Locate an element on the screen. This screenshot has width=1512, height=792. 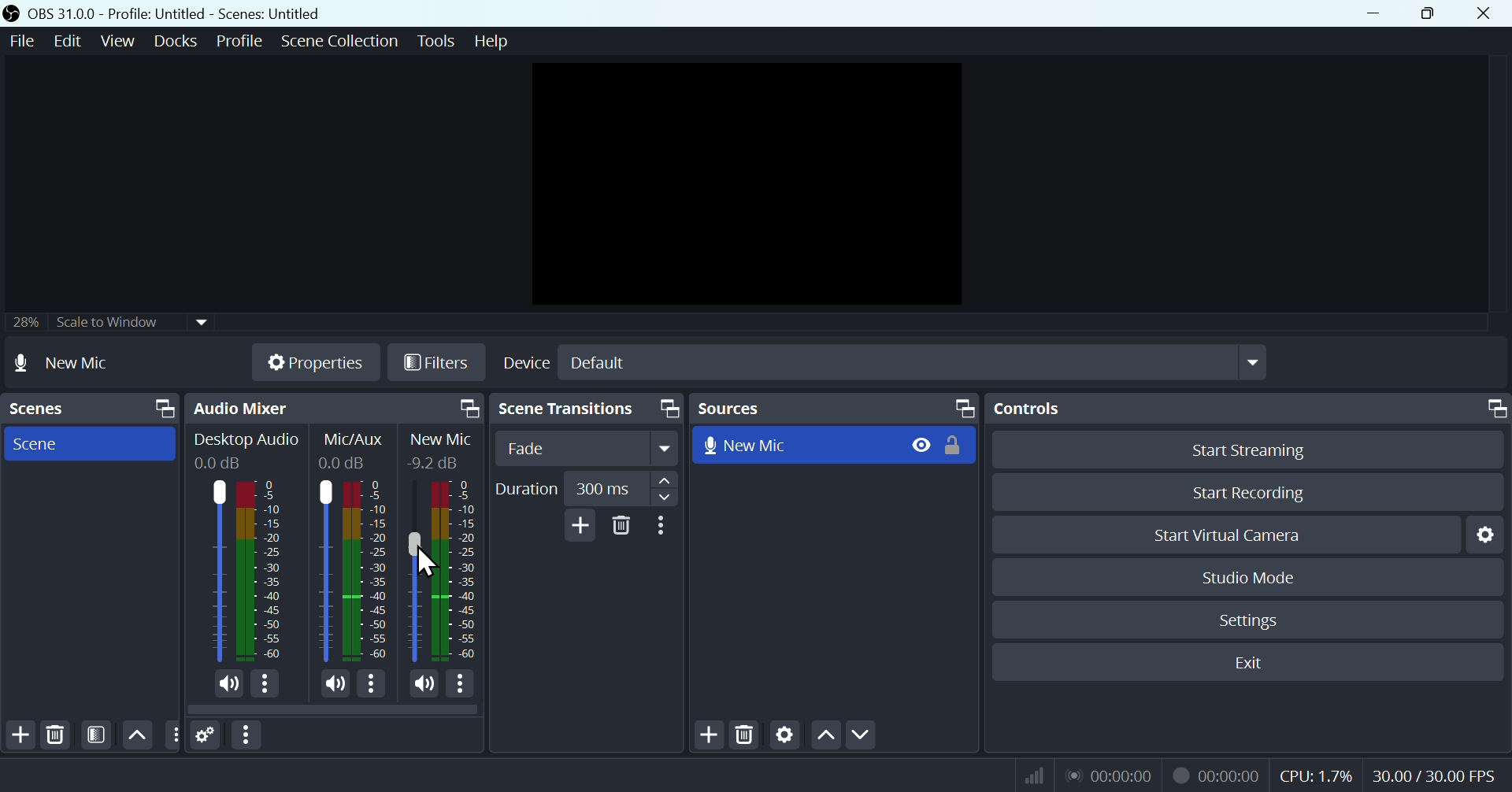
(un)mute is located at coordinates (227, 684).